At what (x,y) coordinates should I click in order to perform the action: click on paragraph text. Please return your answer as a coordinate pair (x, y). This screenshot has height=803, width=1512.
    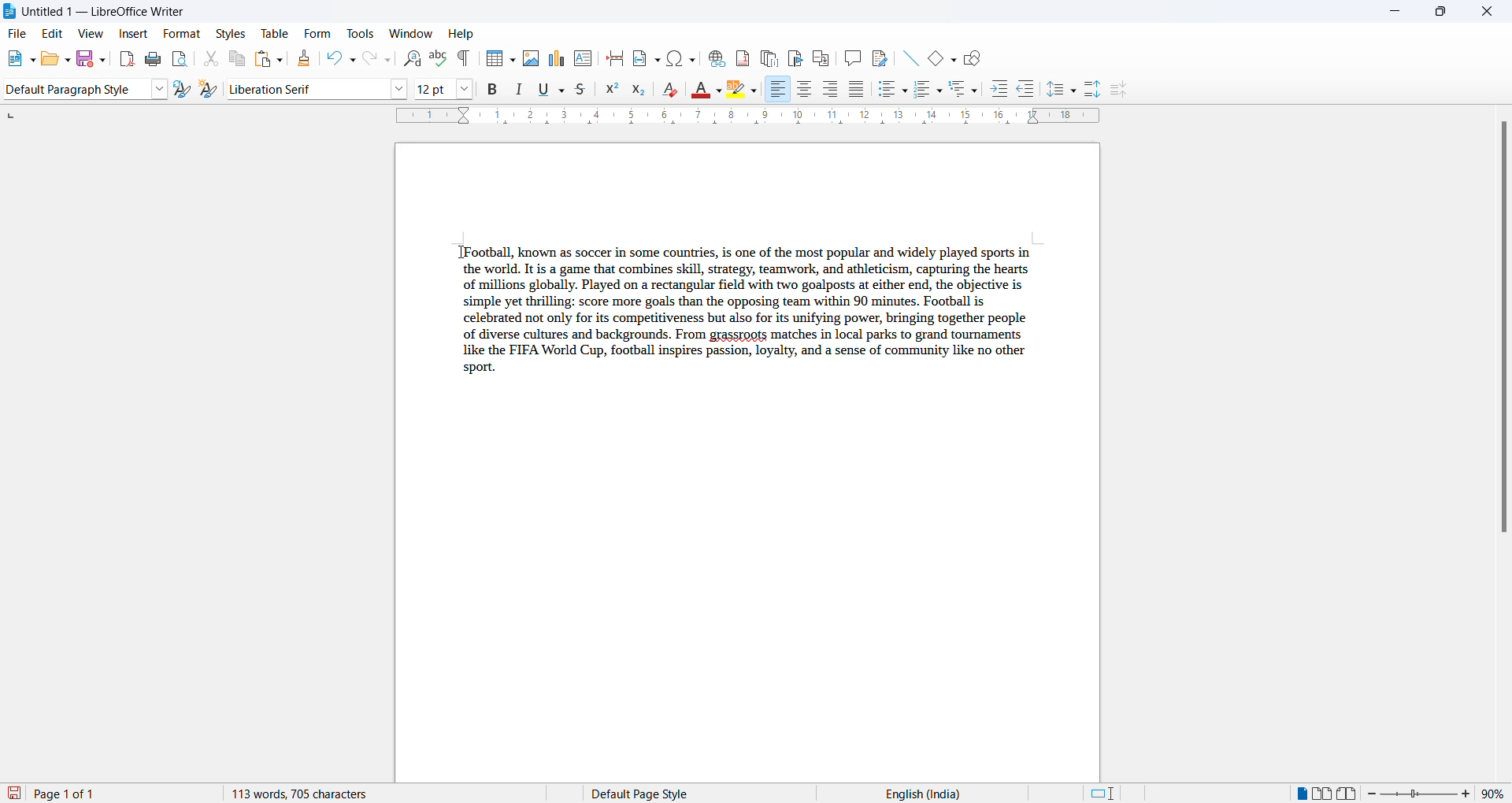
    Looking at the image, I should click on (748, 308).